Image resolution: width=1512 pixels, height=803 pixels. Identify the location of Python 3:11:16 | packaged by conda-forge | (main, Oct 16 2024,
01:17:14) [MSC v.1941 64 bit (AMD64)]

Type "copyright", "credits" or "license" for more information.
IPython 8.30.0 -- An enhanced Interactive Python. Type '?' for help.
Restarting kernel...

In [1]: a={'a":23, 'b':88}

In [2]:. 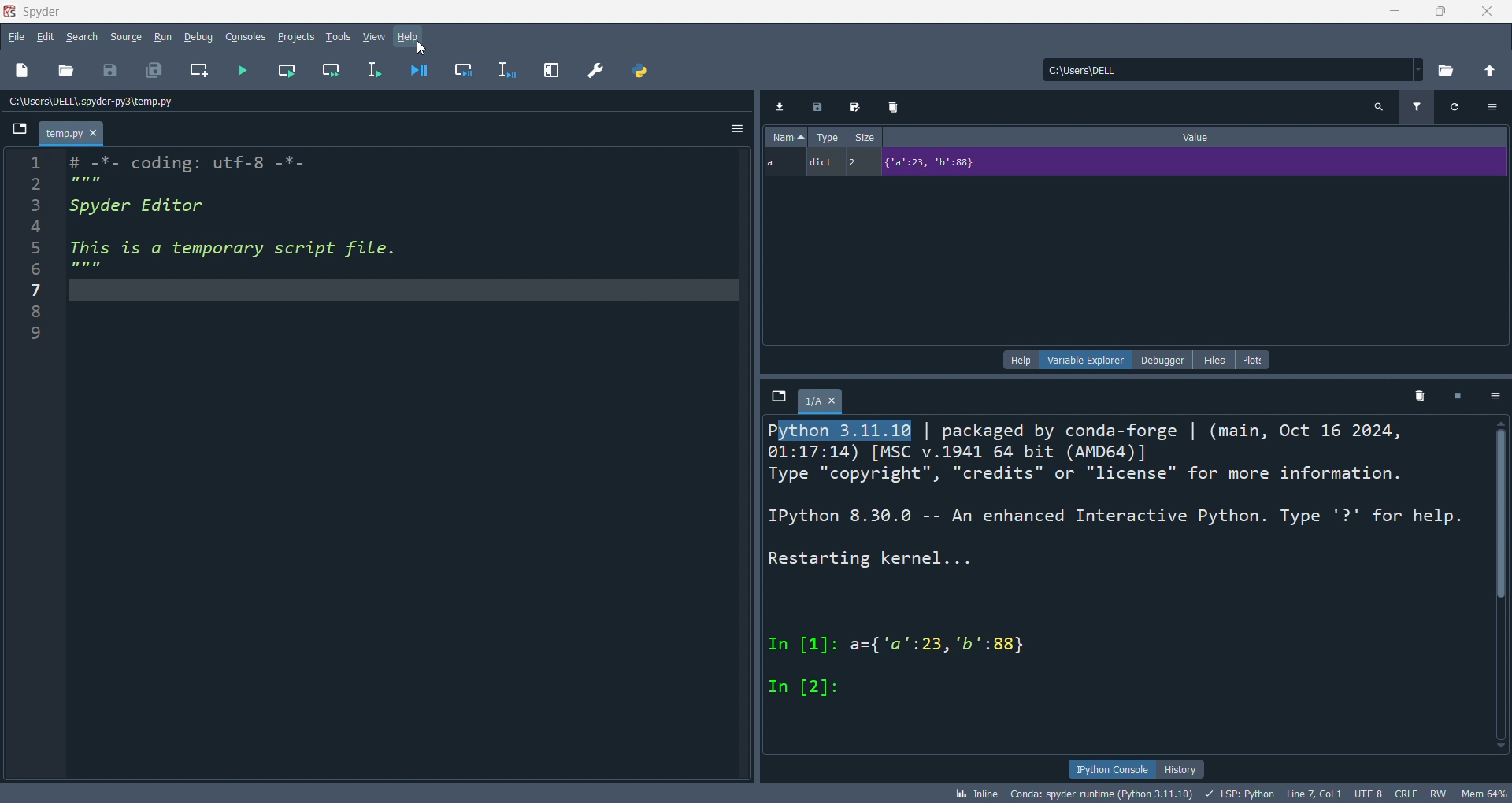
(1115, 561).